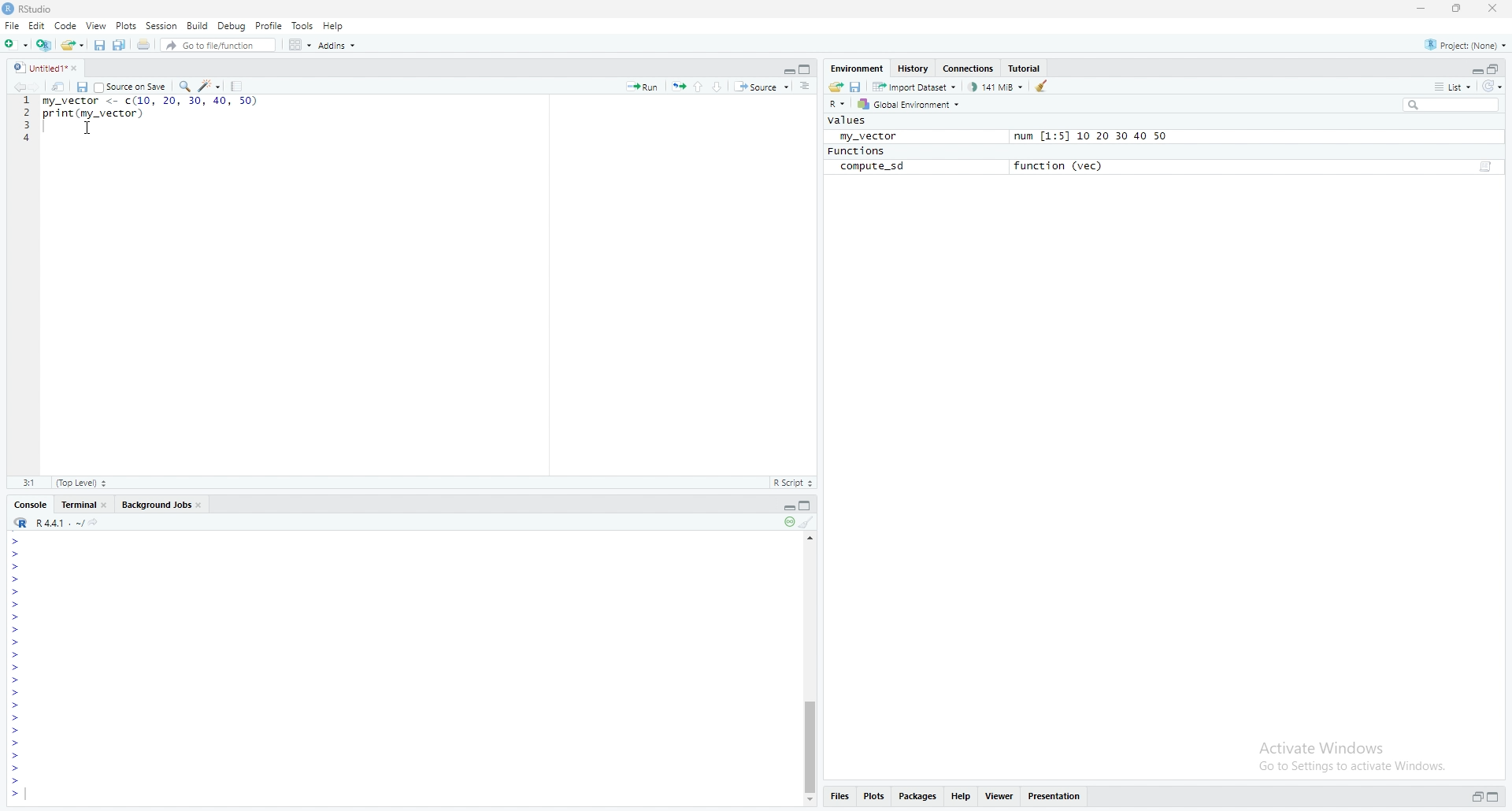  Describe the element at coordinates (839, 795) in the screenshot. I see `Files` at that location.